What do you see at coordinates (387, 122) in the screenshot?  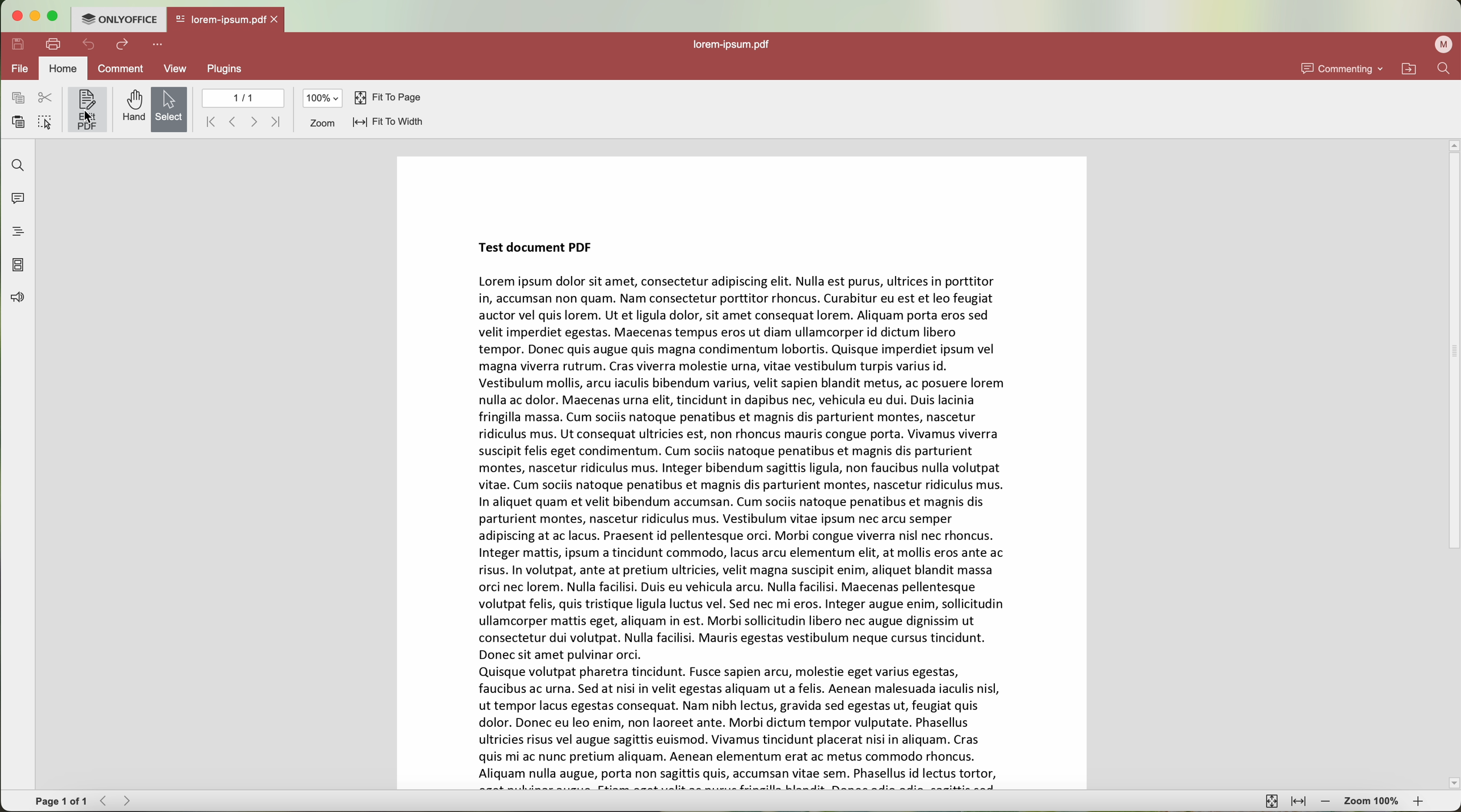 I see `fit to width` at bounding box center [387, 122].